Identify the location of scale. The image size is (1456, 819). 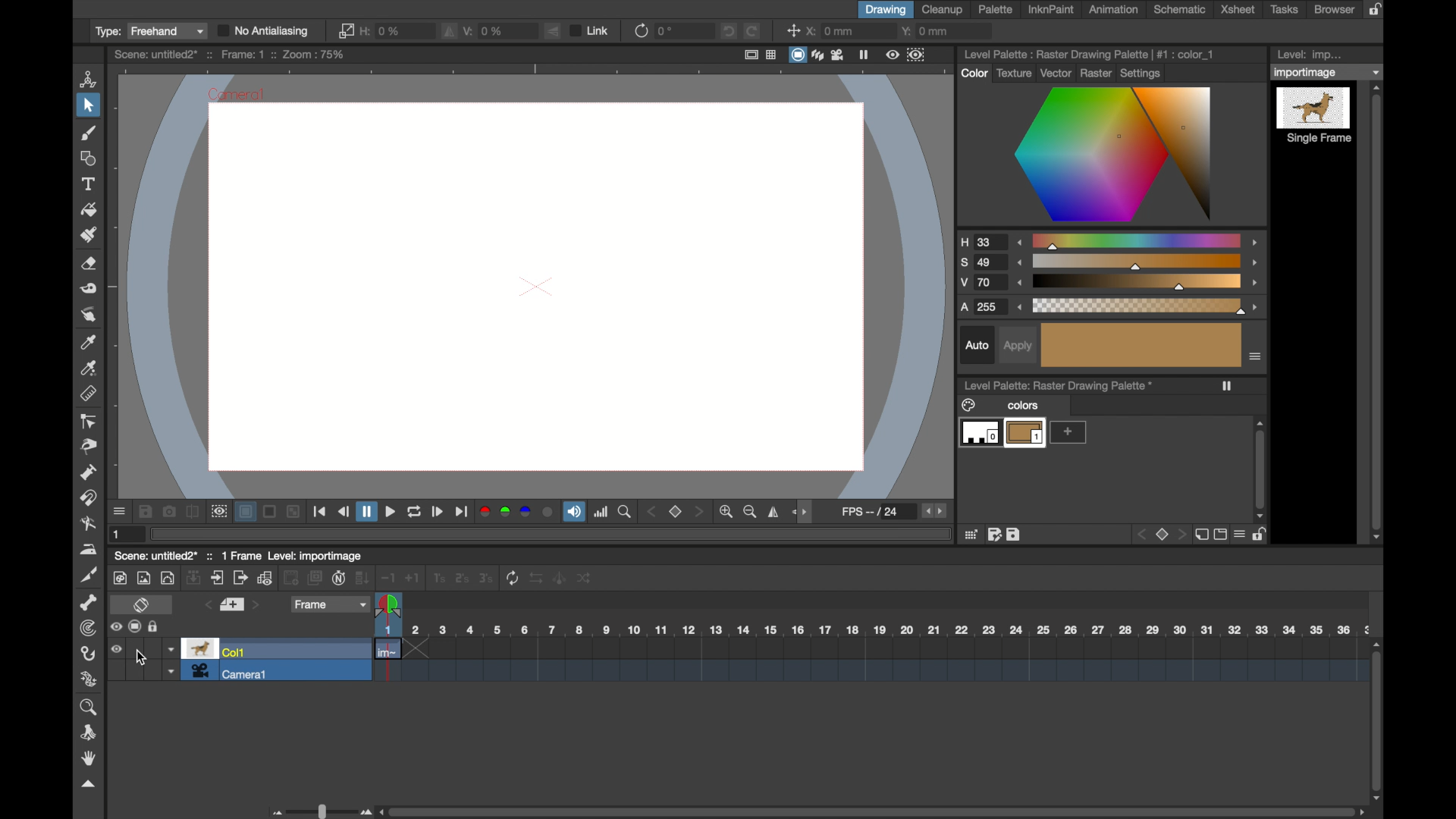
(1137, 283).